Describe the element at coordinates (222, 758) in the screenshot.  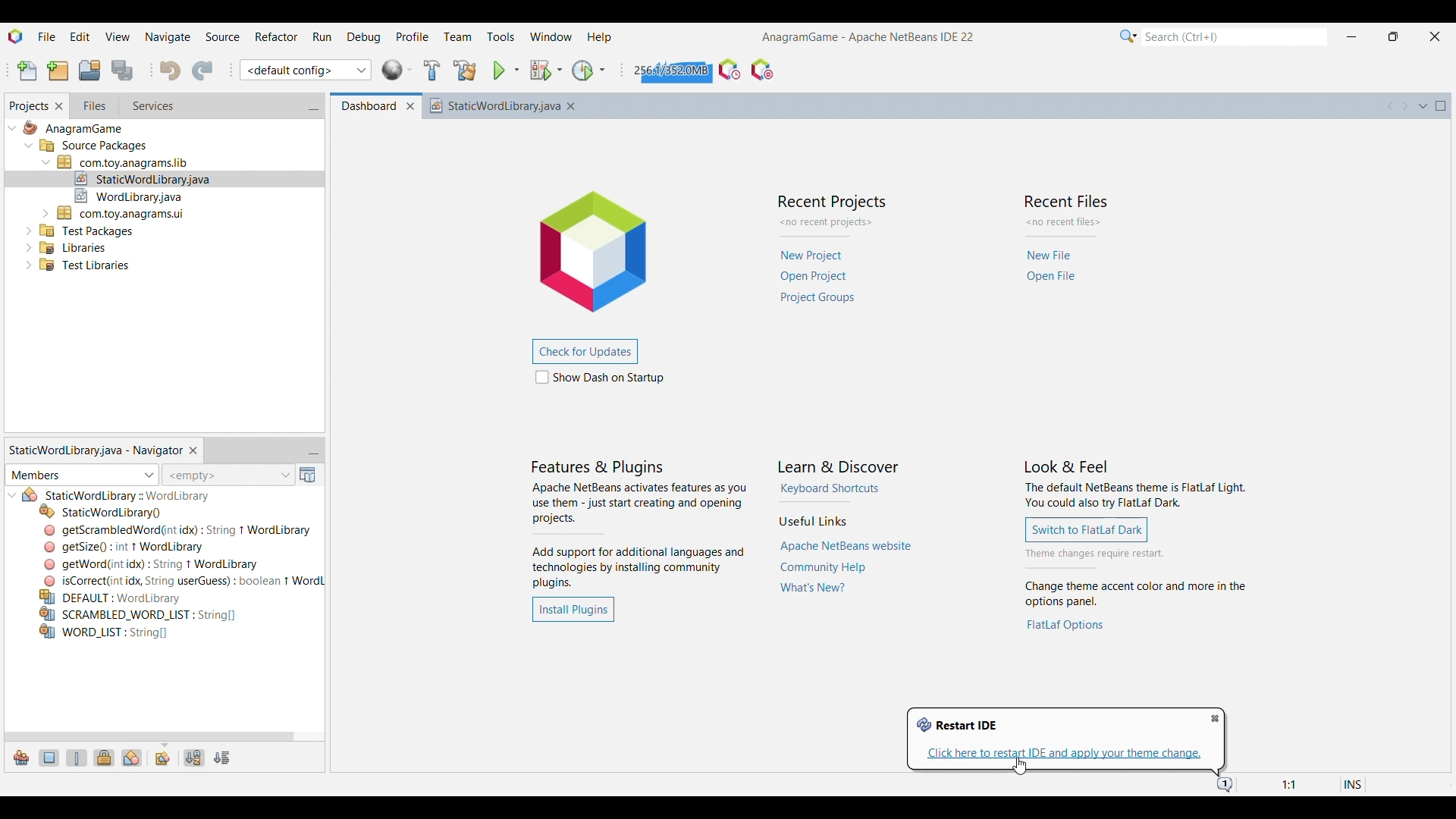
I see `Sort by source` at that location.